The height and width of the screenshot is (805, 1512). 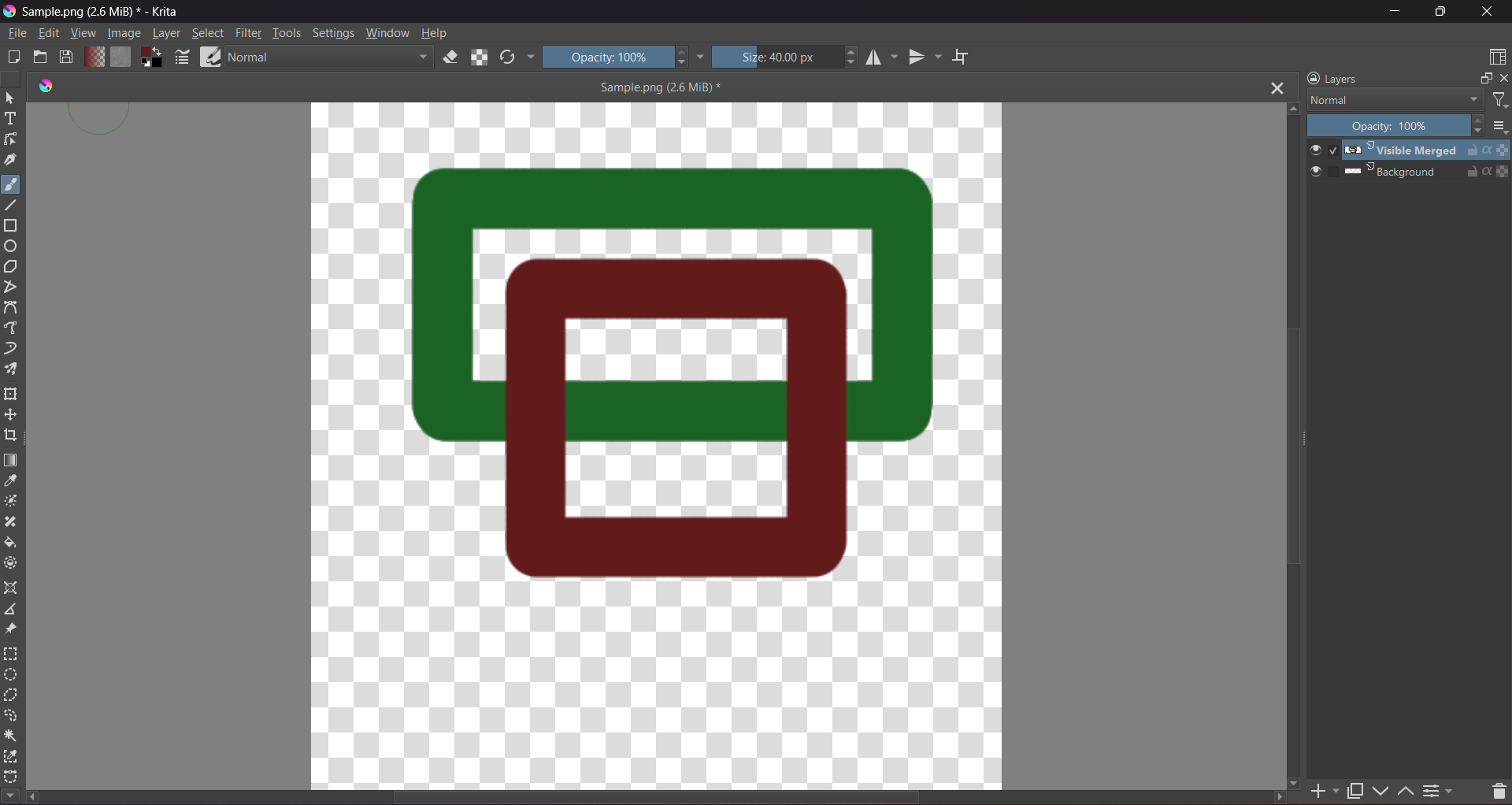 What do you see at coordinates (81, 34) in the screenshot?
I see `View` at bounding box center [81, 34].